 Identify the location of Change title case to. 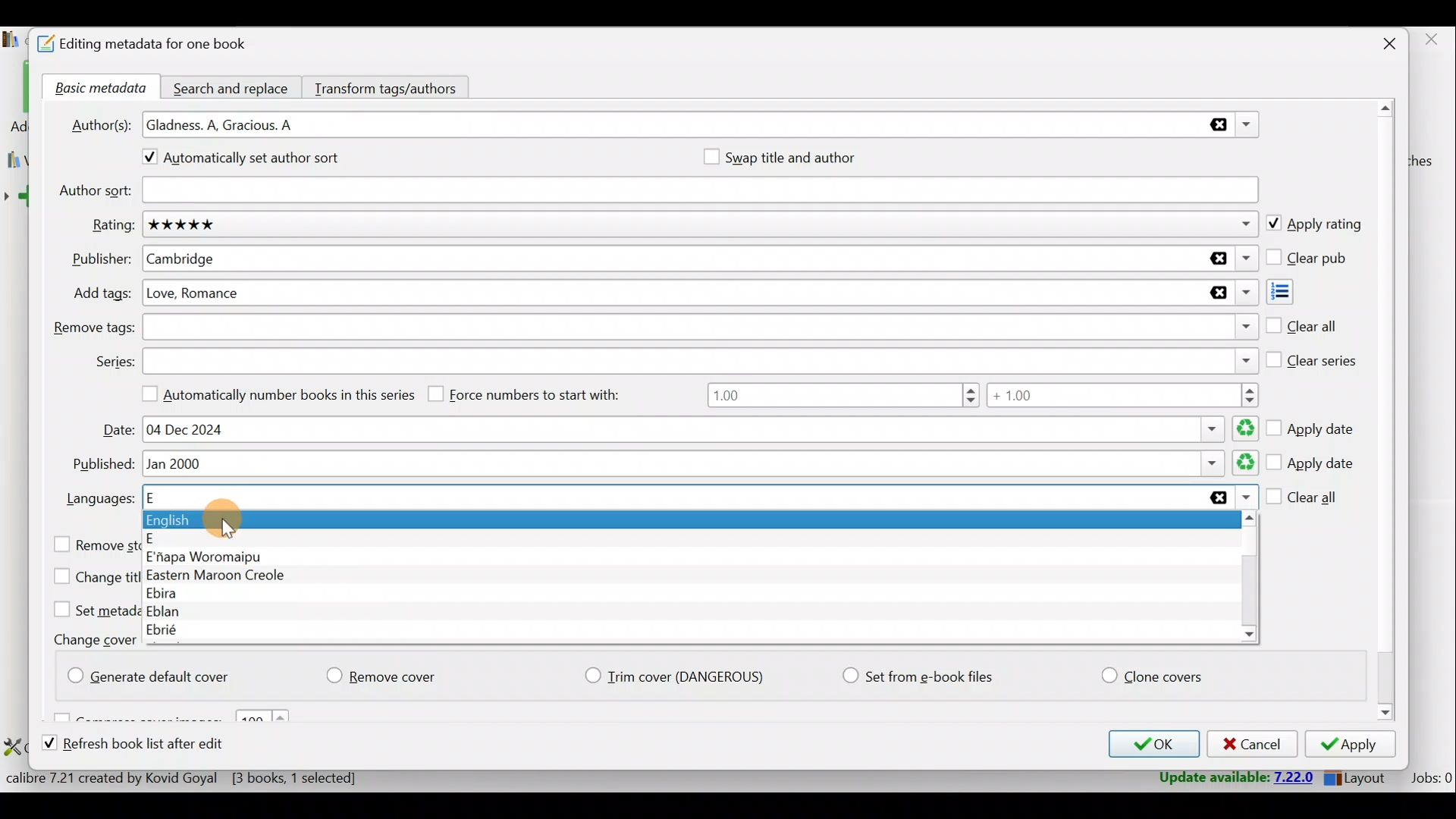
(89, 576).